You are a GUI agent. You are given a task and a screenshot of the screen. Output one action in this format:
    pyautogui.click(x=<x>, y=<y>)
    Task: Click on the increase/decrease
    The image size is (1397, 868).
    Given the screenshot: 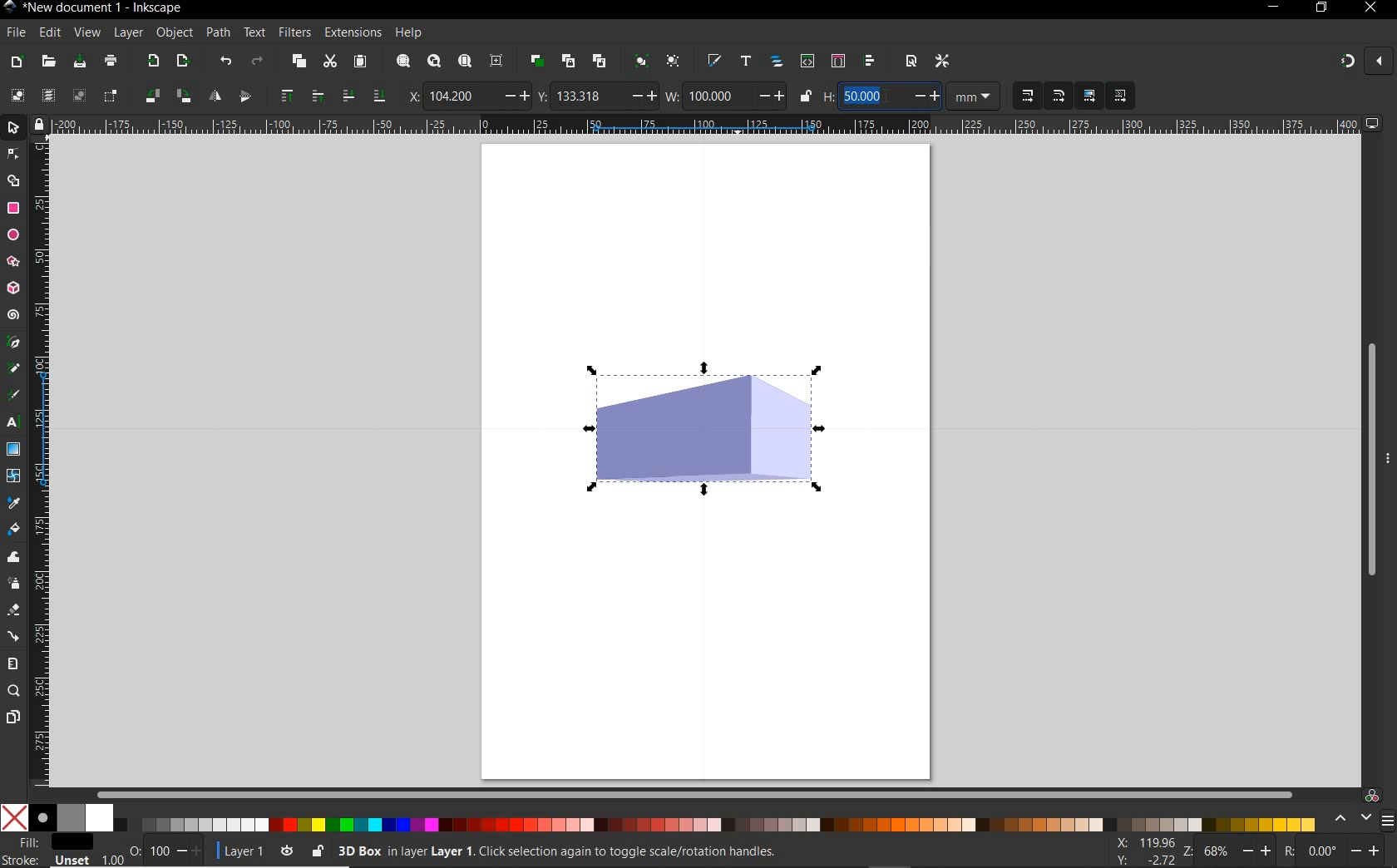 What is the action you would take?
    pyautogui.click(x=641, y=96)
    